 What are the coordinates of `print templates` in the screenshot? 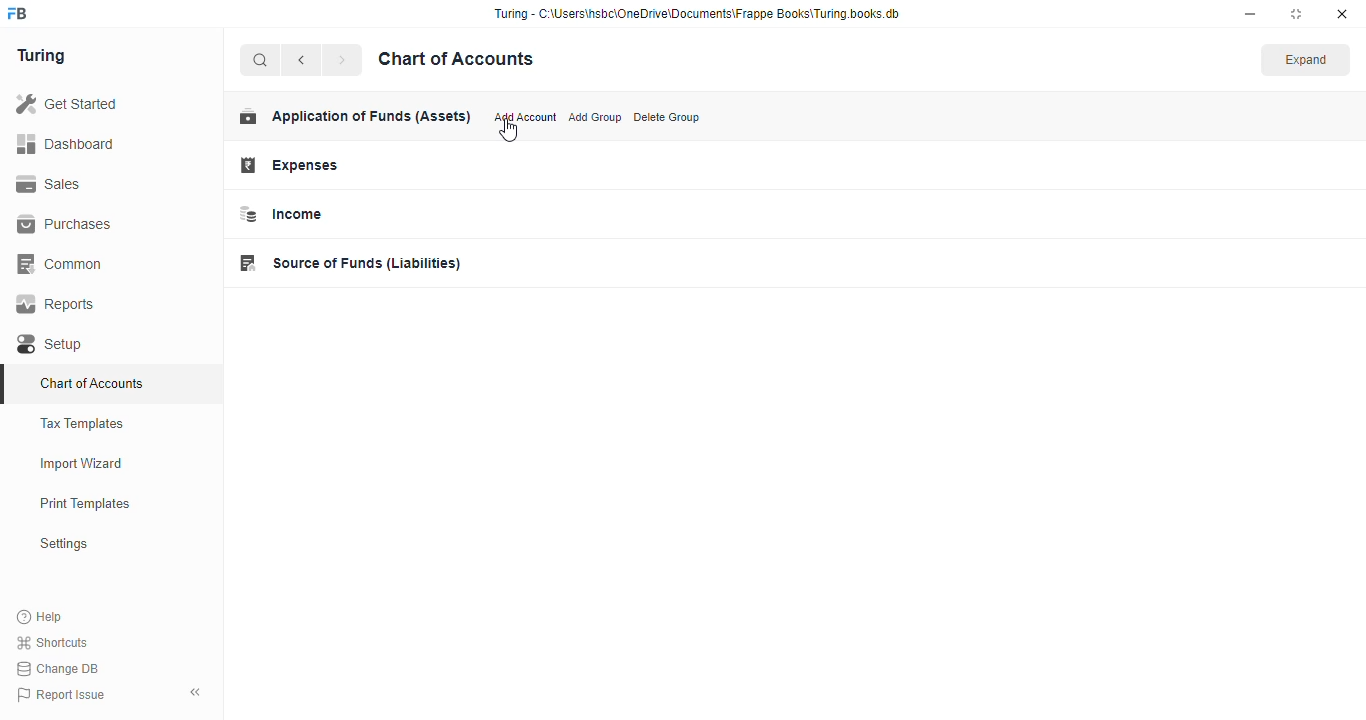 It's located at (85, 503).